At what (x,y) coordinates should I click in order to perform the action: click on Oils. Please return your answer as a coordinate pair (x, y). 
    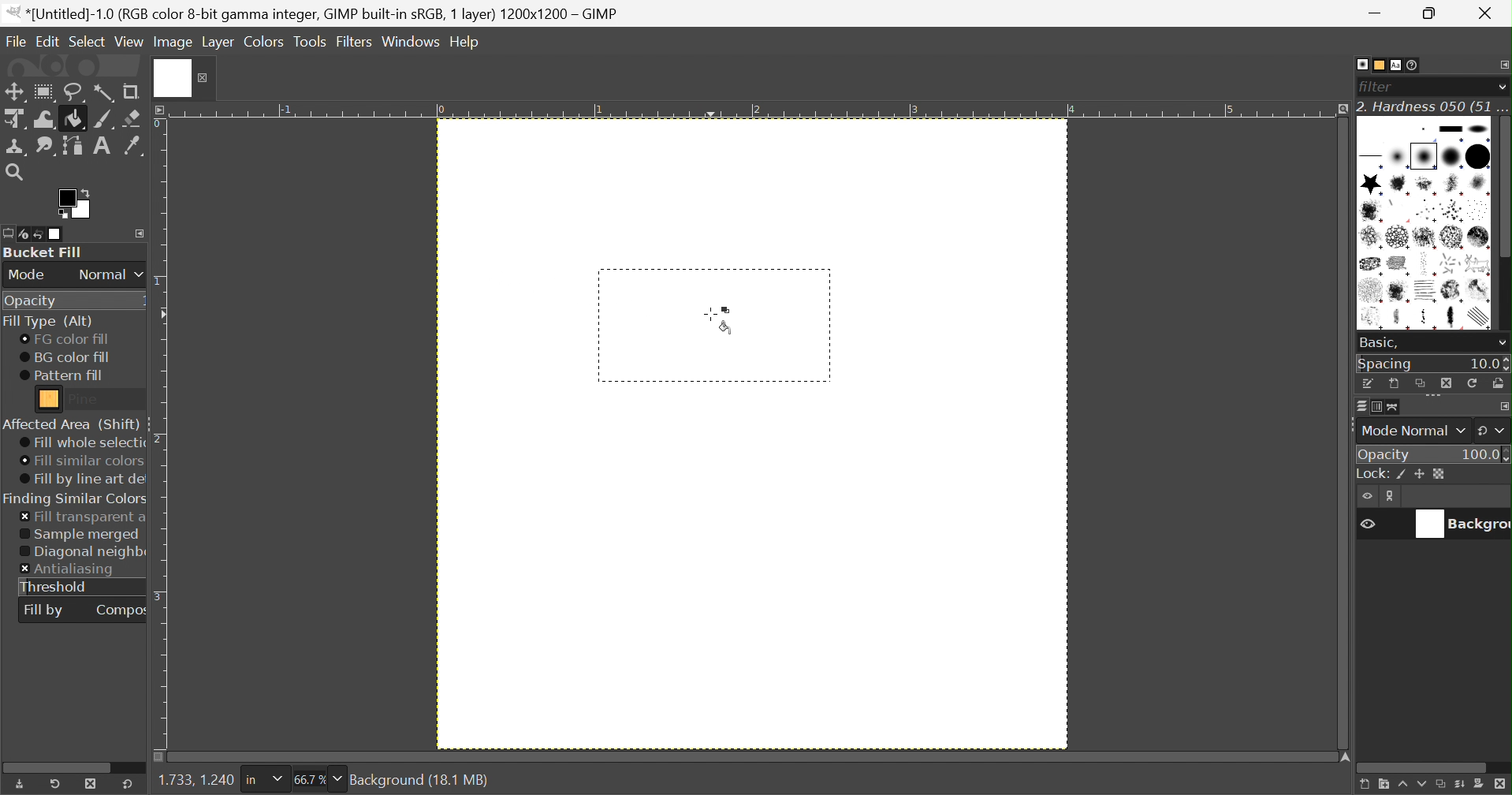
    Looking at the image, I should click on (1479, 289).